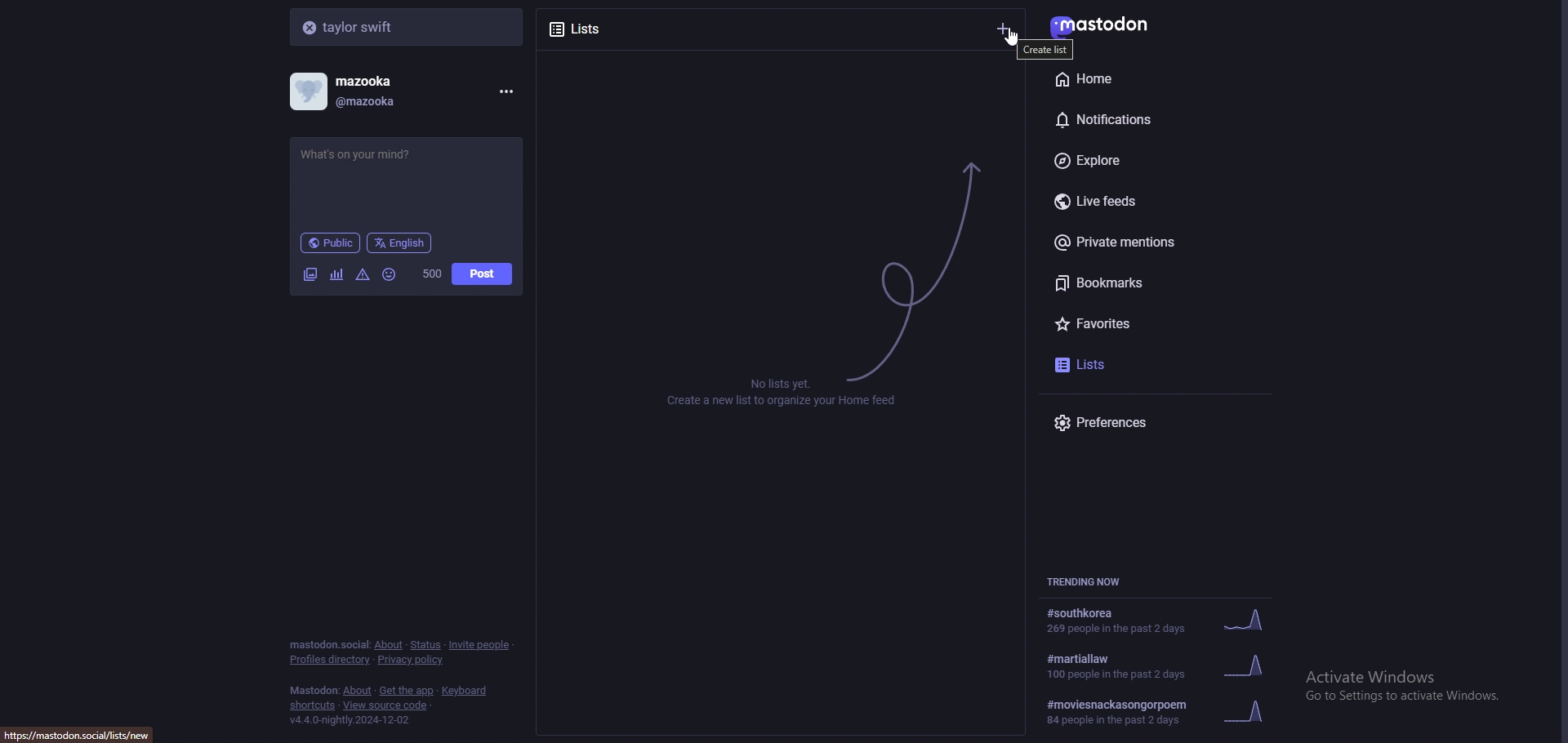  Describe the element at coordinates (1138, 117) in the screenshot. I see `notifications` at that location.